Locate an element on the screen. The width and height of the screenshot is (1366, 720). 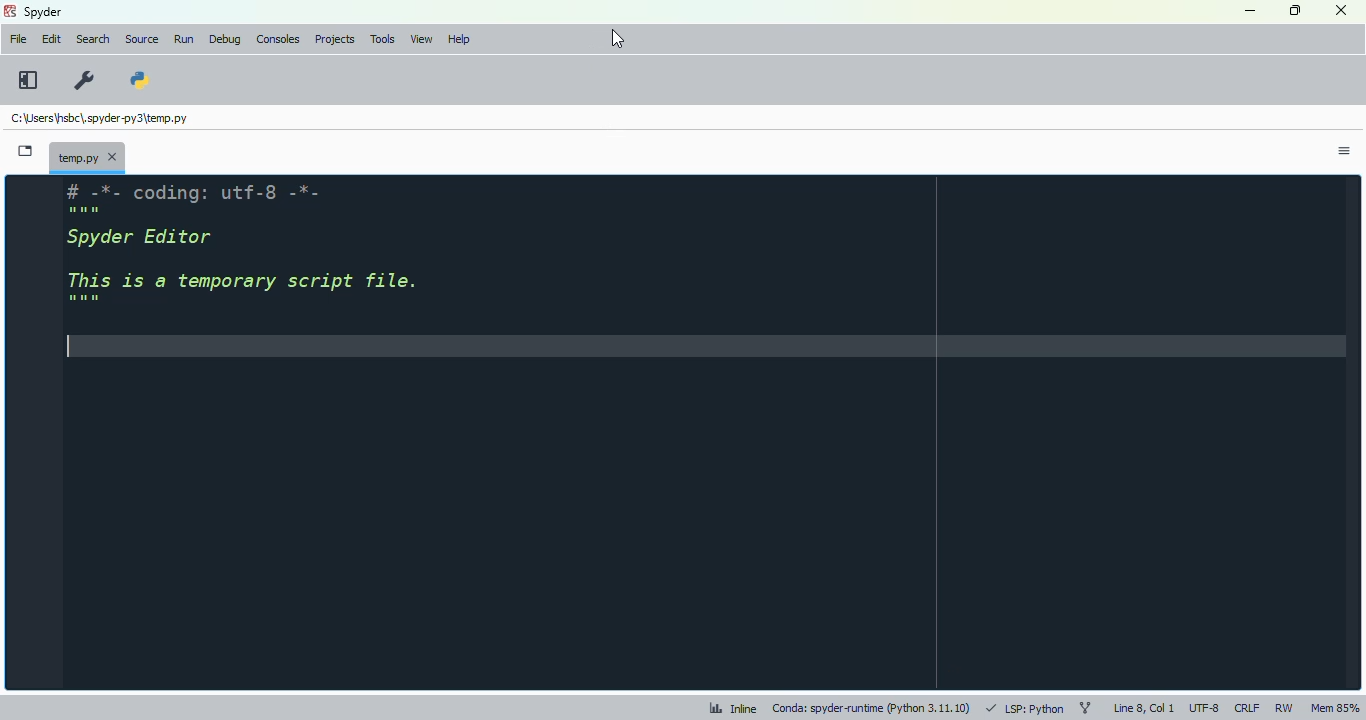
maximize current pane is located at coordinates (27, 79).